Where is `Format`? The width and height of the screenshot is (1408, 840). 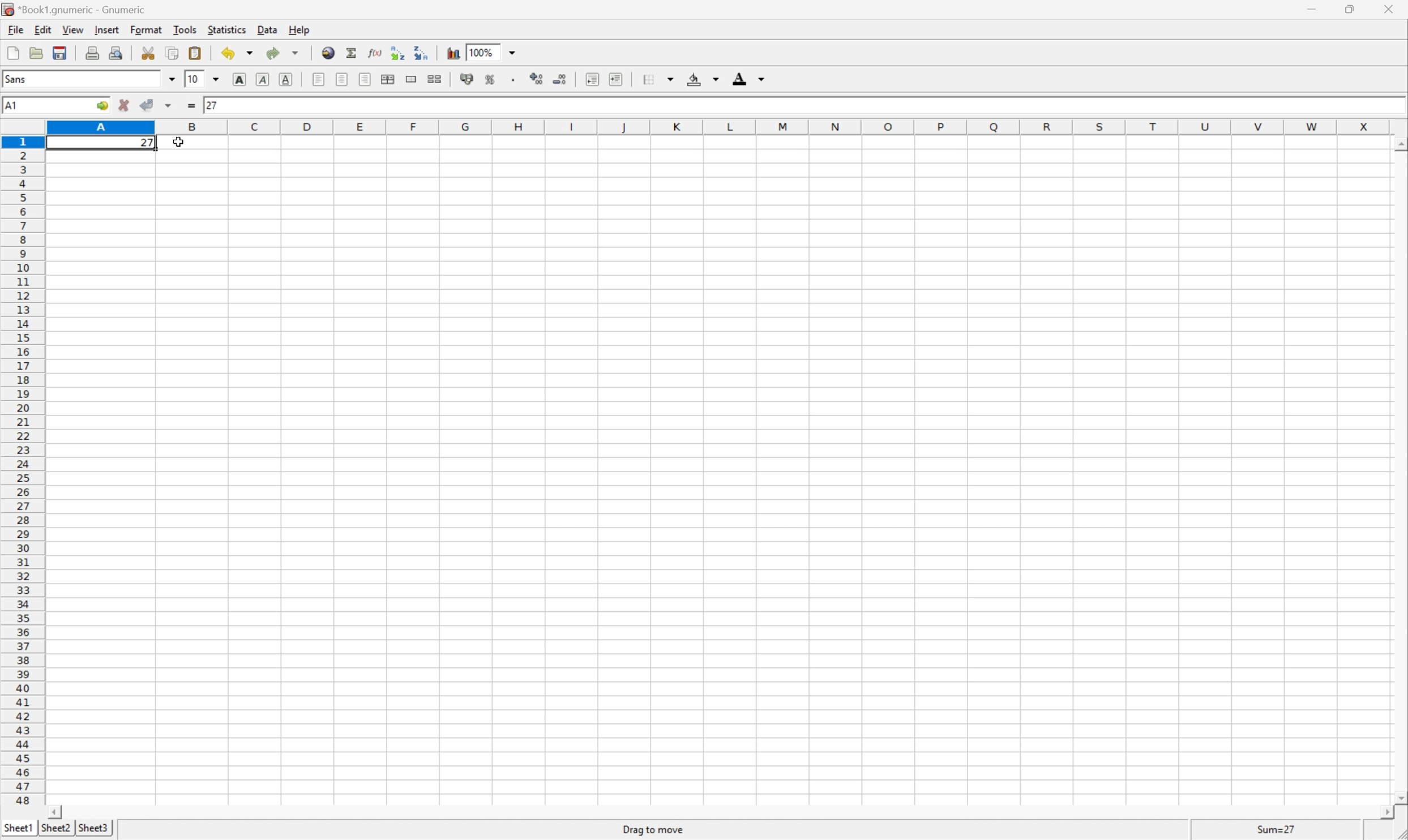
Format is located at coordinates (146, 29).